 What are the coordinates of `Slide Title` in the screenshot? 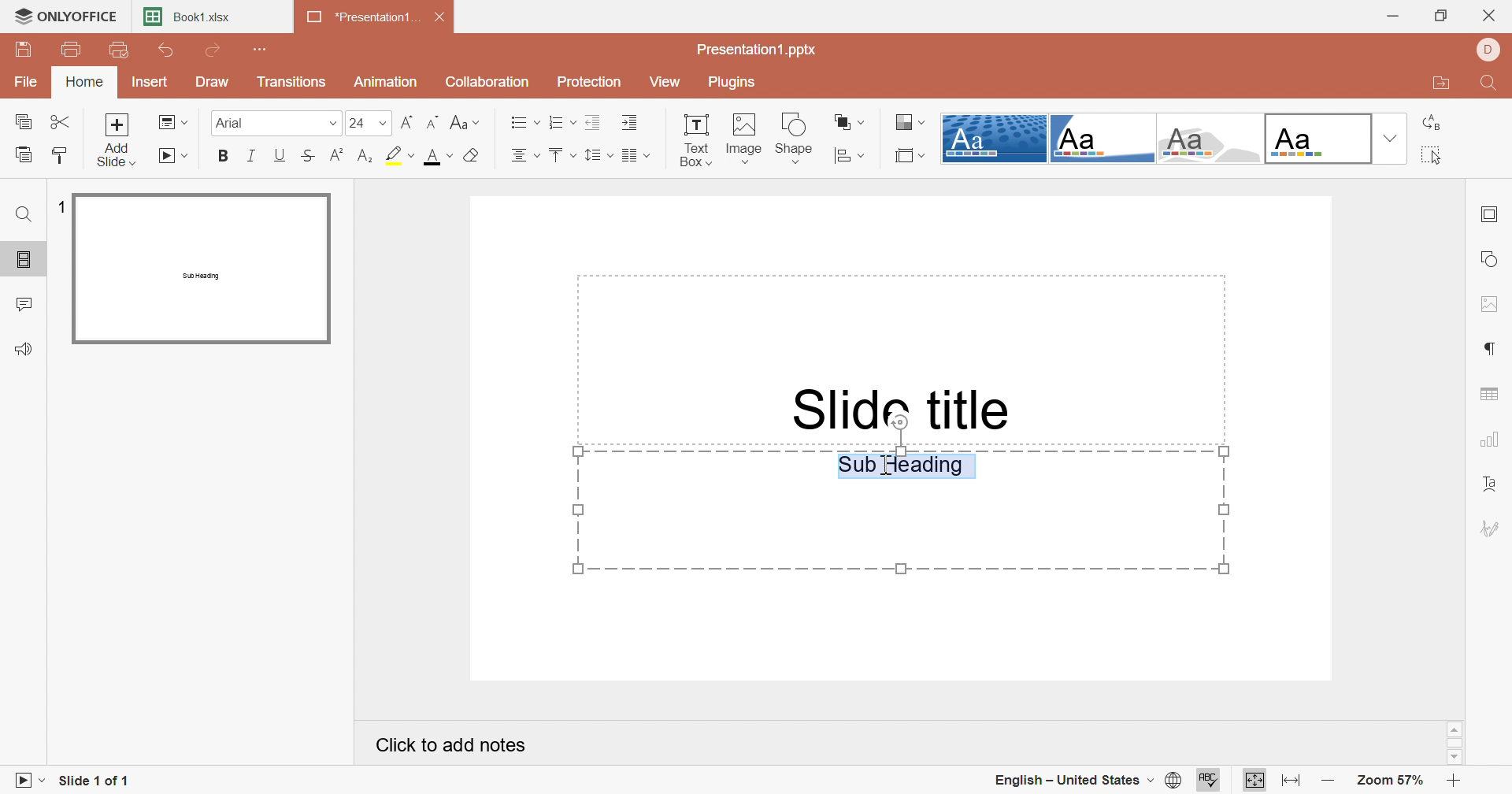 It's located at (892, 406).